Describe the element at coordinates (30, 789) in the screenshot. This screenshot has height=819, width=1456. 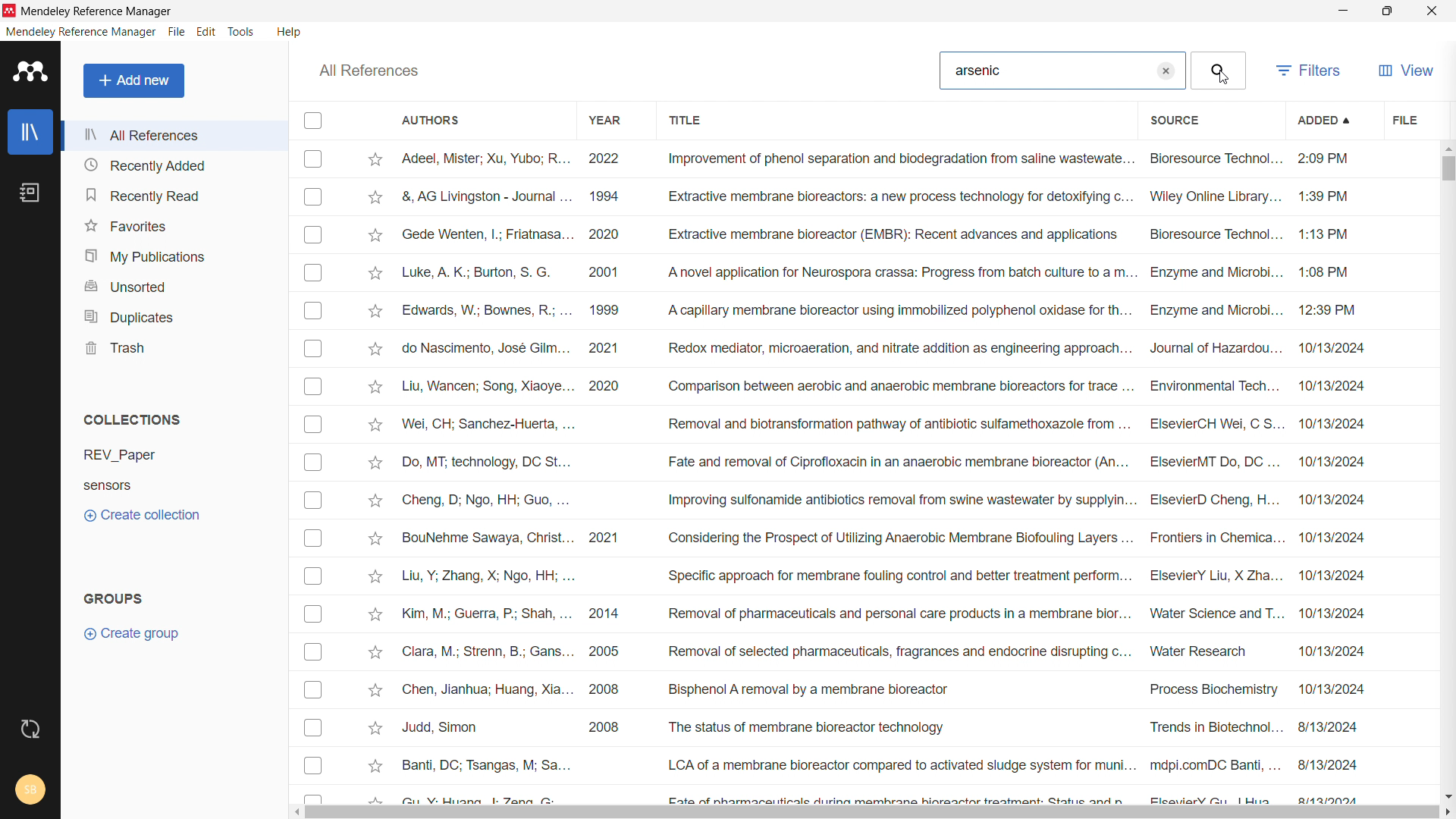
I see `account and help` at that location.